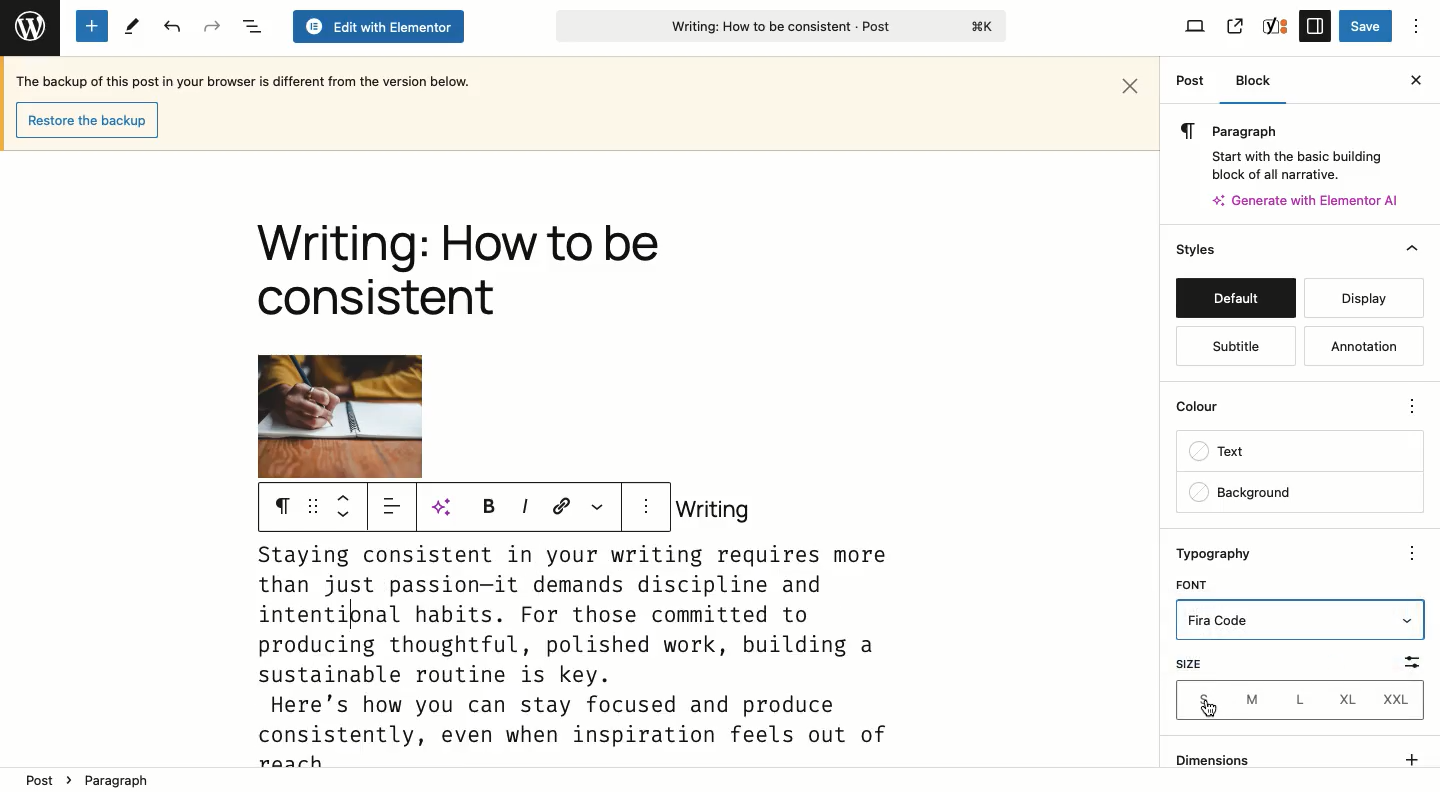  I want to click on Add new block, so click(92, 26).